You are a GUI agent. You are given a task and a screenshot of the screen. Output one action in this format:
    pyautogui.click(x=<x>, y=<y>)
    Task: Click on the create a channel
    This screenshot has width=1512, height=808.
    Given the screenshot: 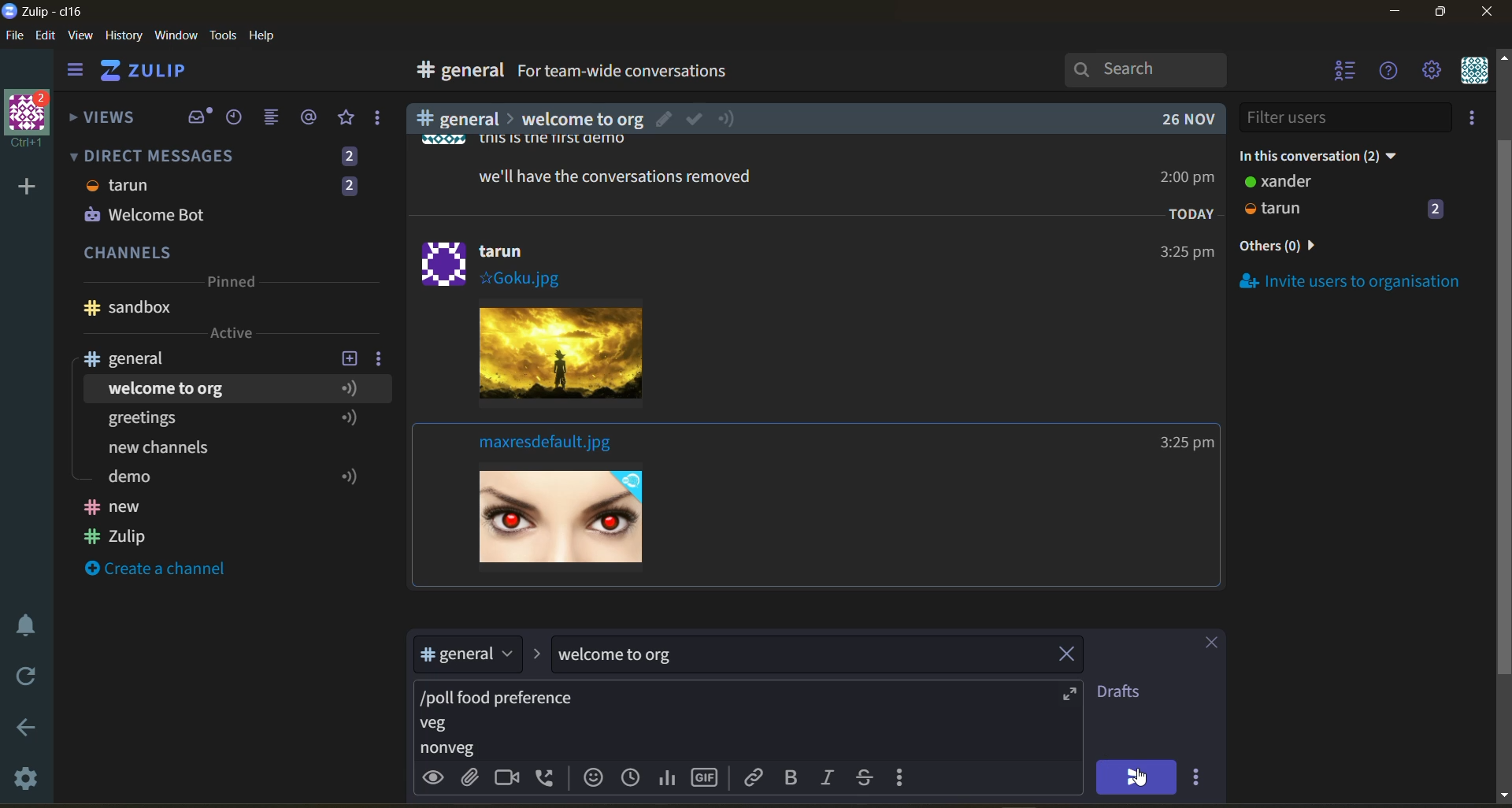 What is the action you would take?
    pyautogui.click(x=165, y=570)
    